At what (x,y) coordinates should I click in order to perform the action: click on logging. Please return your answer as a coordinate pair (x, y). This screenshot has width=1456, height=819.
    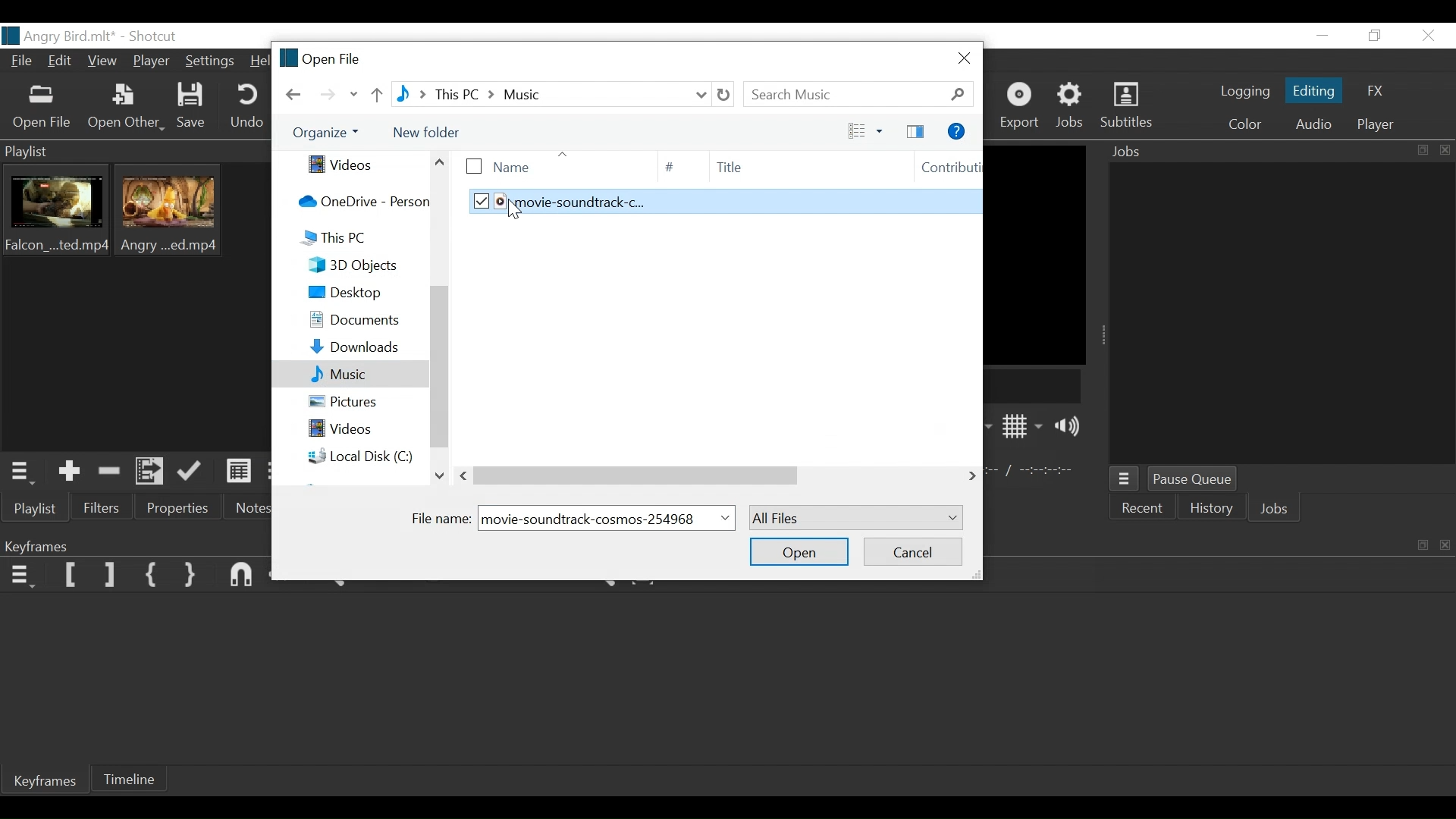
    Looking at the image, I should click on (1240, 93).